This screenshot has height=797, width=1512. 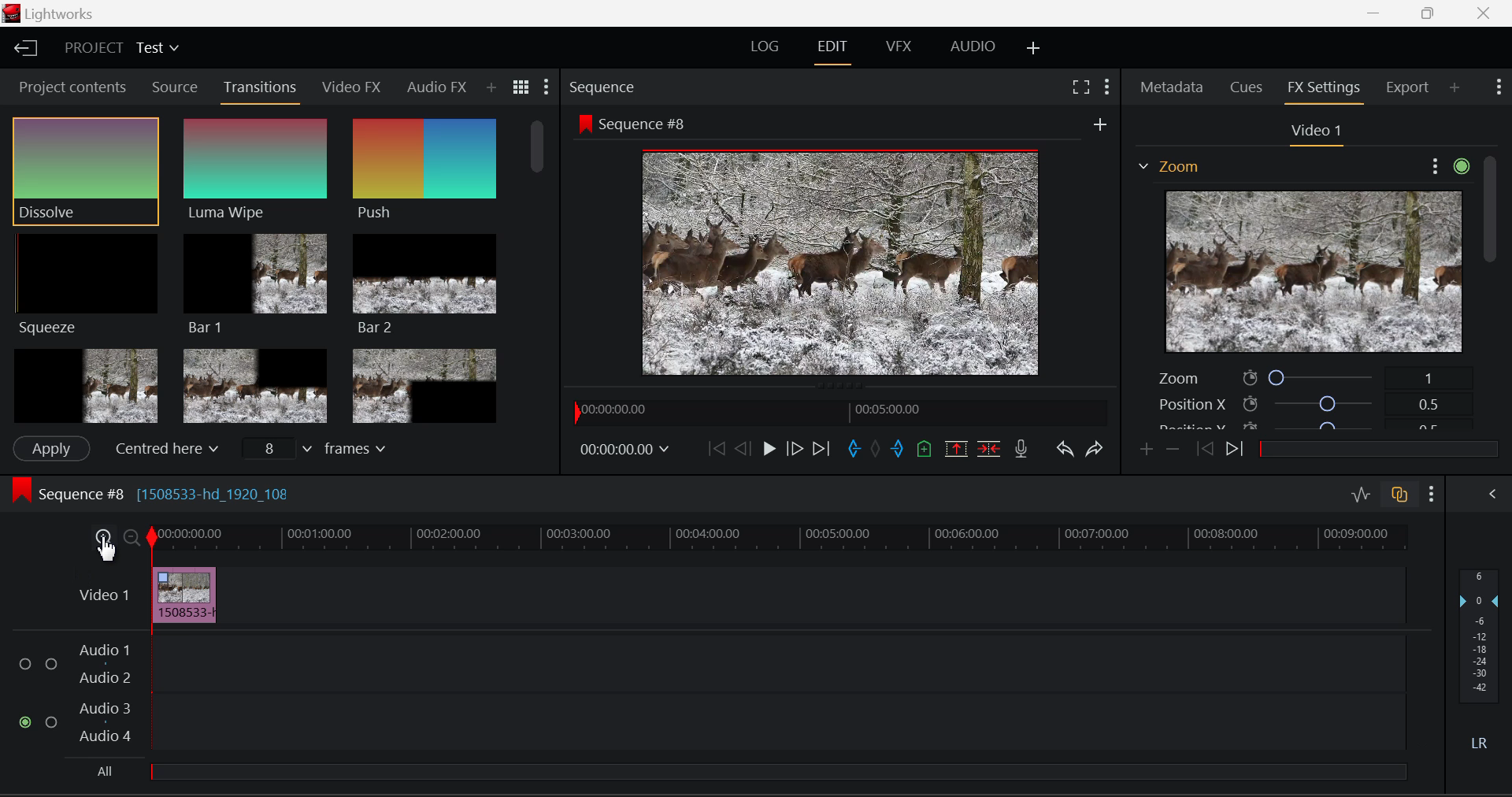 I want to click on Sequence Preview Section, so click(x=606, y=85).